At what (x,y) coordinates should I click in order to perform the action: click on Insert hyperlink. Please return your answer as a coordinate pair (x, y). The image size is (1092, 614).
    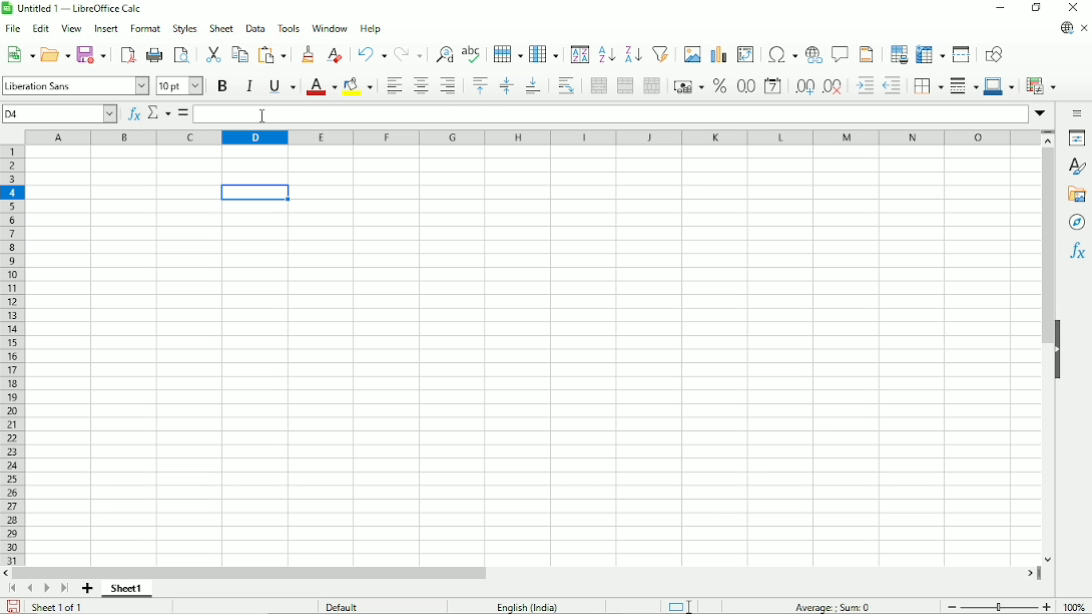
    Looking at the image, I should click on (814, 53).